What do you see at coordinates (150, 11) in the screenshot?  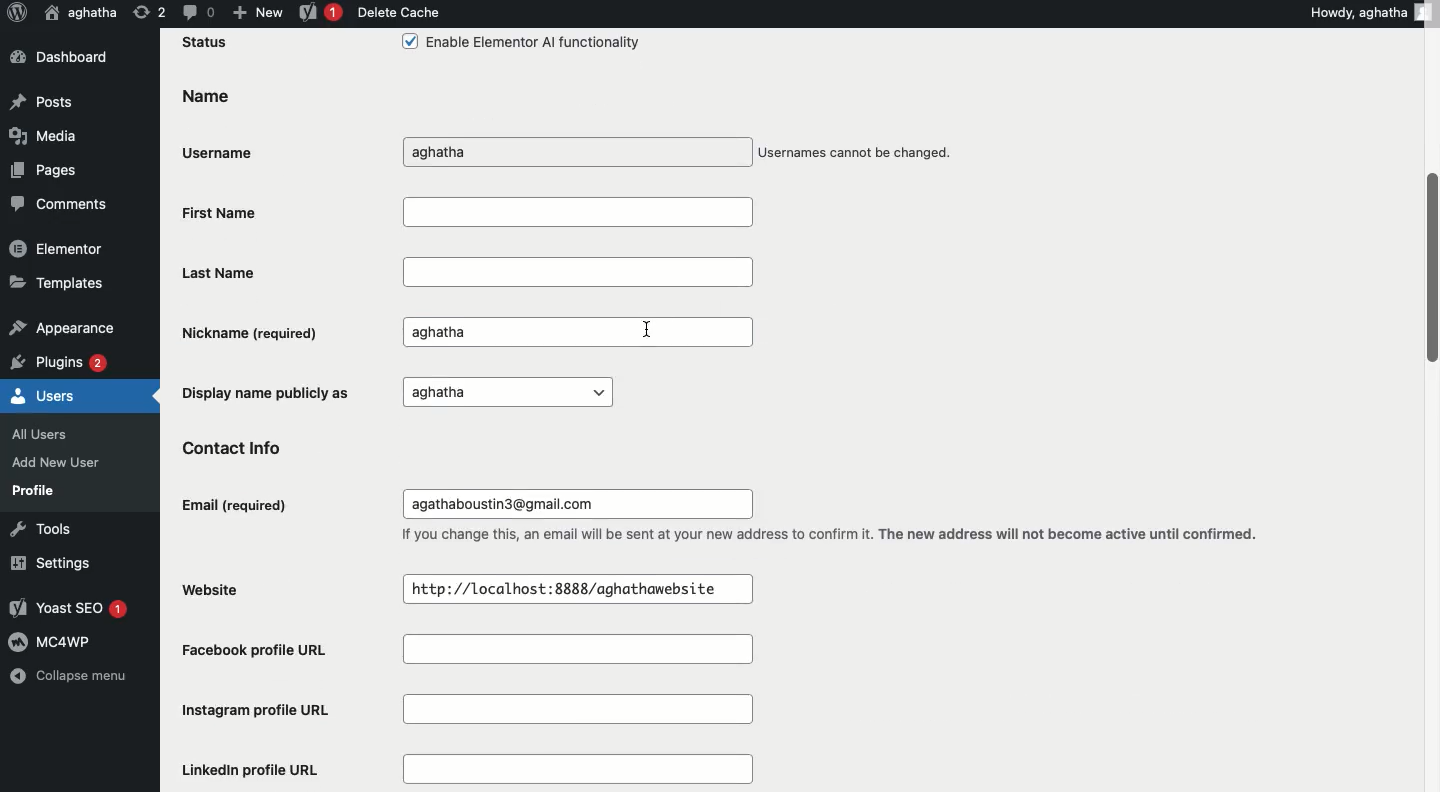 I see `Revision` at bounding box center [150, 11].